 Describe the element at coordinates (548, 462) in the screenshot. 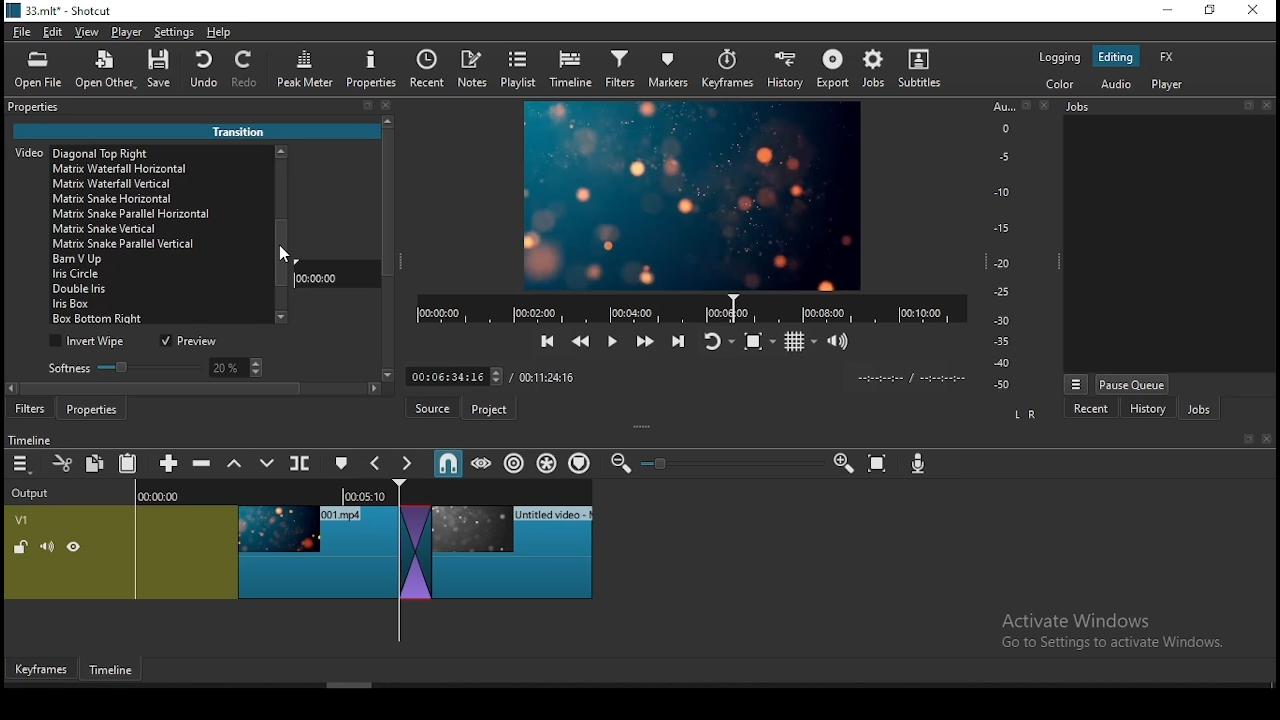

I see `ripple all tracks` at that location.